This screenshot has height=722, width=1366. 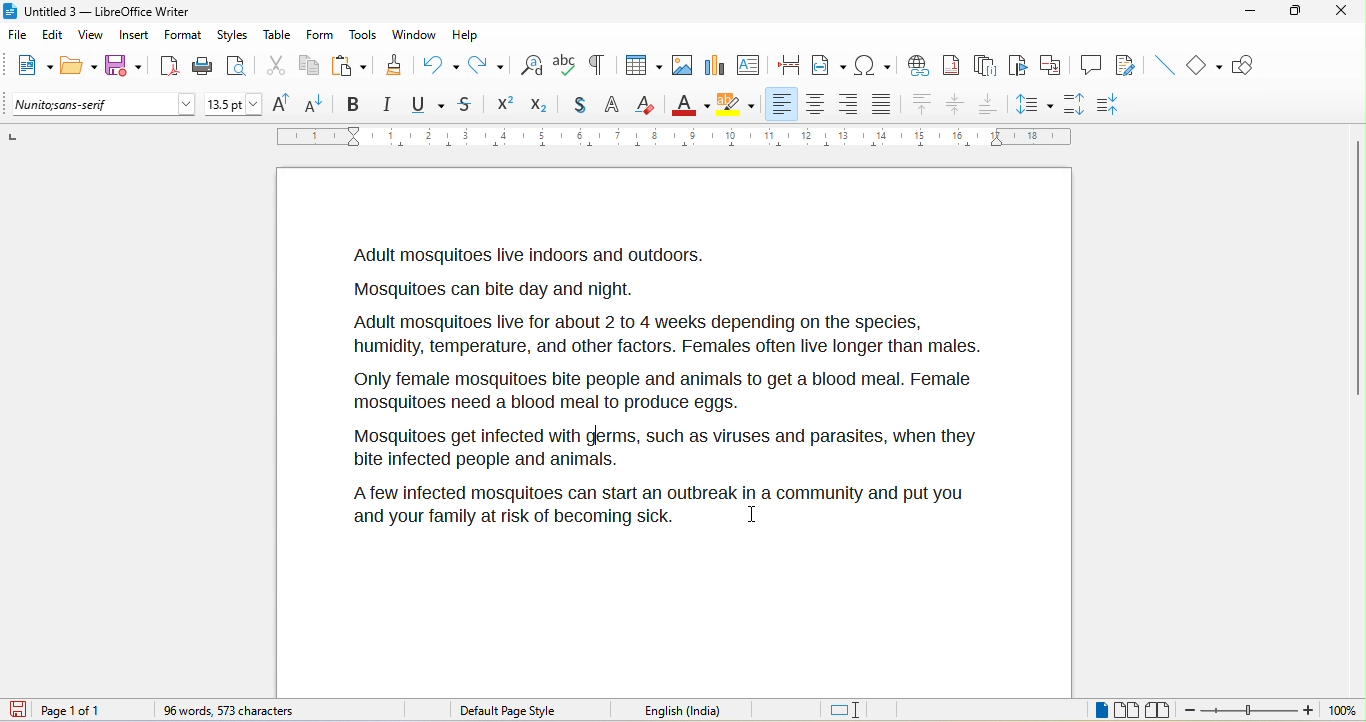 What do you see at coordinates (184, 36) in the screenshot?
I see `format` at bounding box center [184, 36].